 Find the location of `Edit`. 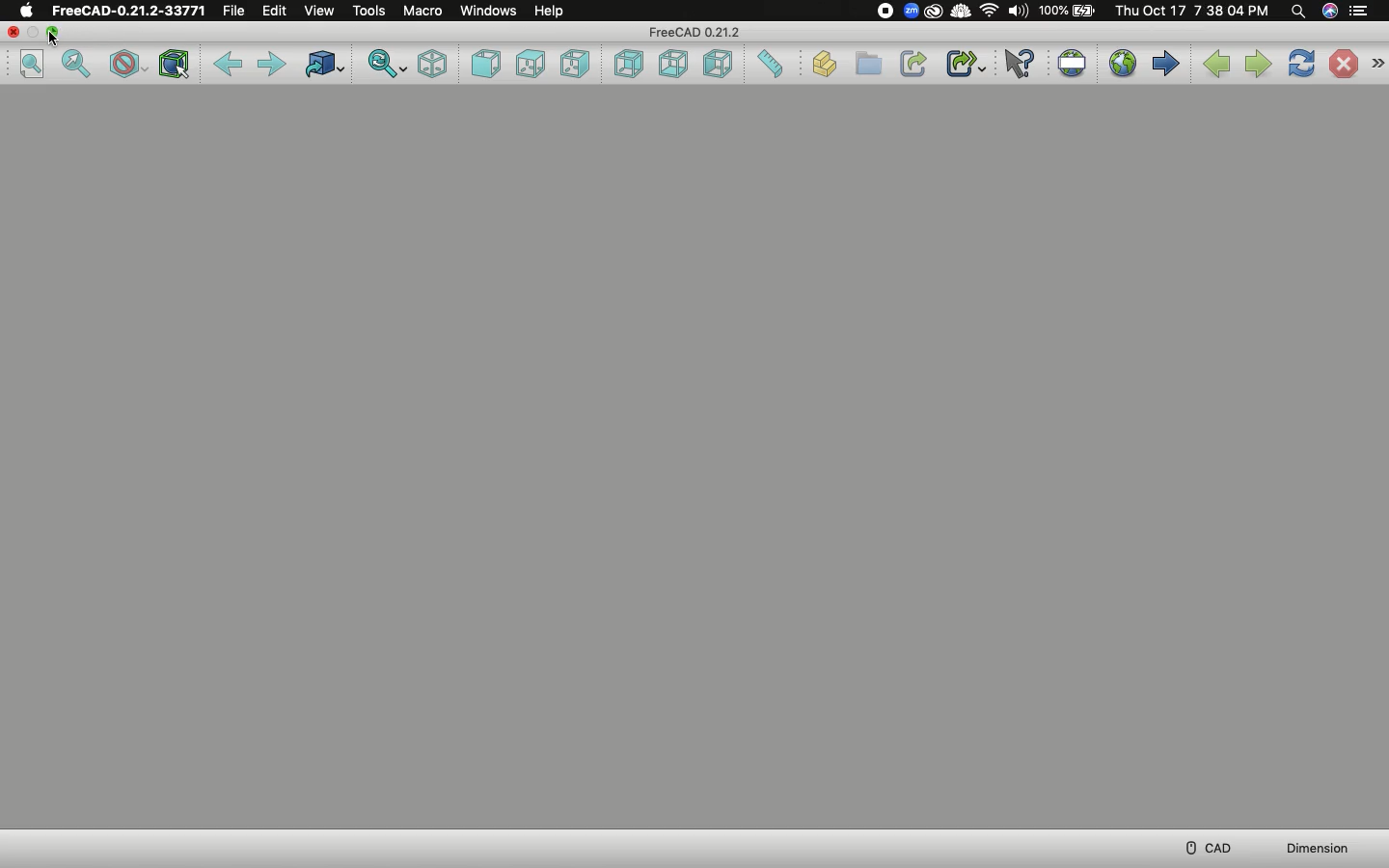

Edit is located at coordinates (274, 12).